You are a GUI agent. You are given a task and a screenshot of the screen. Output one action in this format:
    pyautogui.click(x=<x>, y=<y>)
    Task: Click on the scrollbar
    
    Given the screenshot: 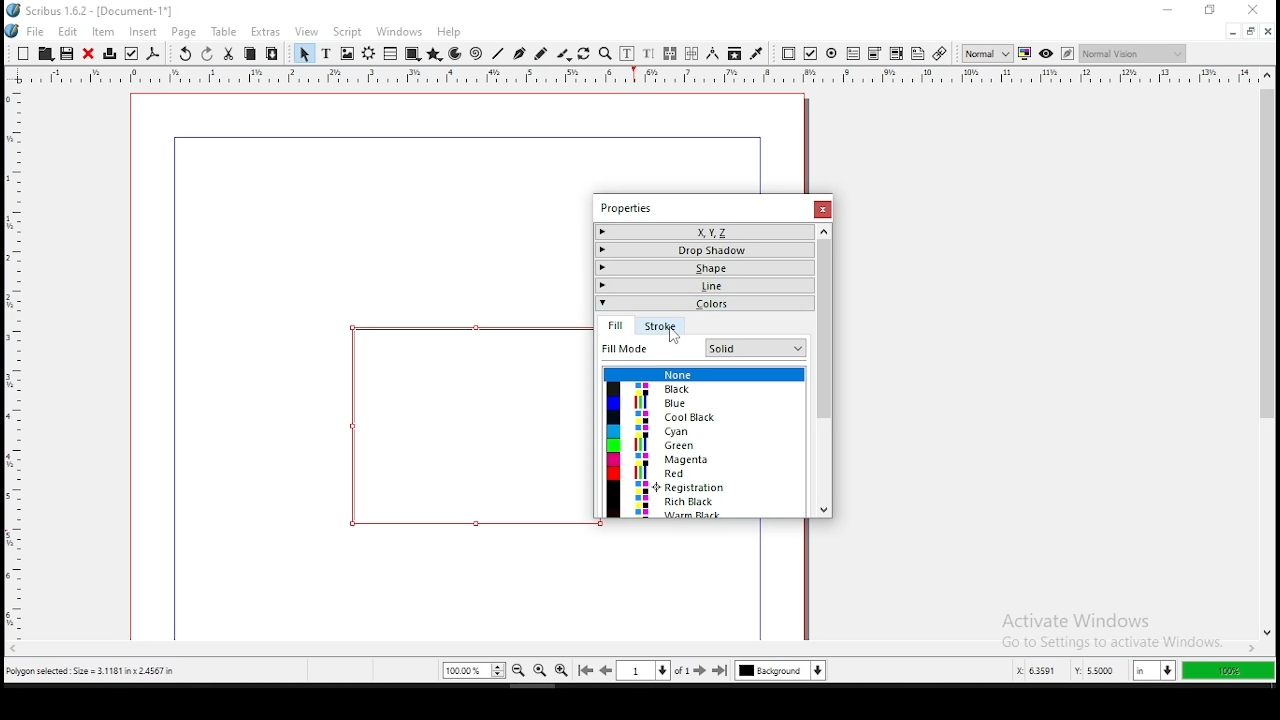 What is the action you would take?
    pyautogui.click(x=807, y=143)
    